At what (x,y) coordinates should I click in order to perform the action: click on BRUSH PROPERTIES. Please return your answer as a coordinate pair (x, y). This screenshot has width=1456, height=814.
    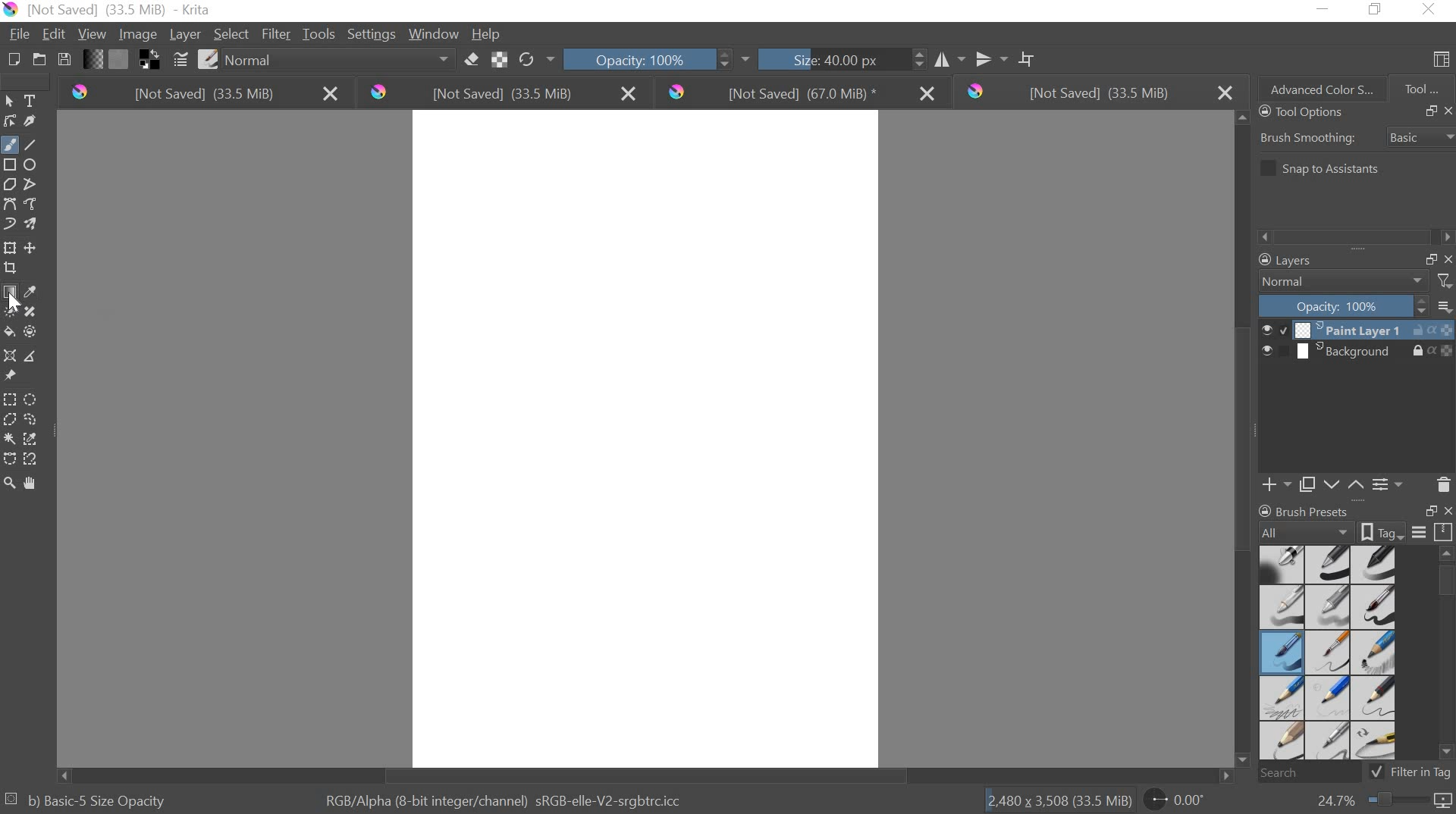
    Looking at the image, I should click on (1354, 532).